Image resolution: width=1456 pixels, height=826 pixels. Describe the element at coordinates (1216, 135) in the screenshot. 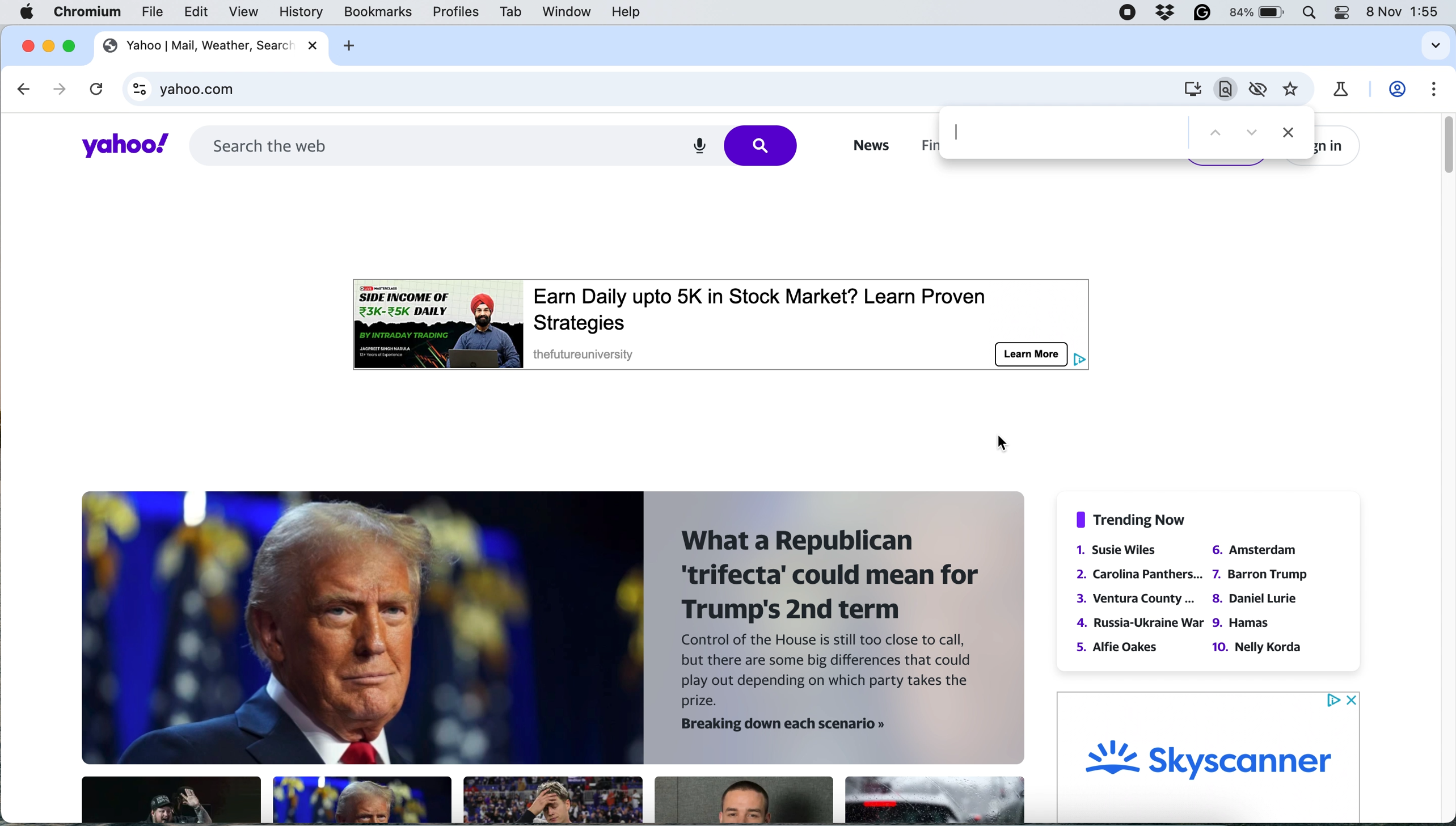

I see `previous` at that location.